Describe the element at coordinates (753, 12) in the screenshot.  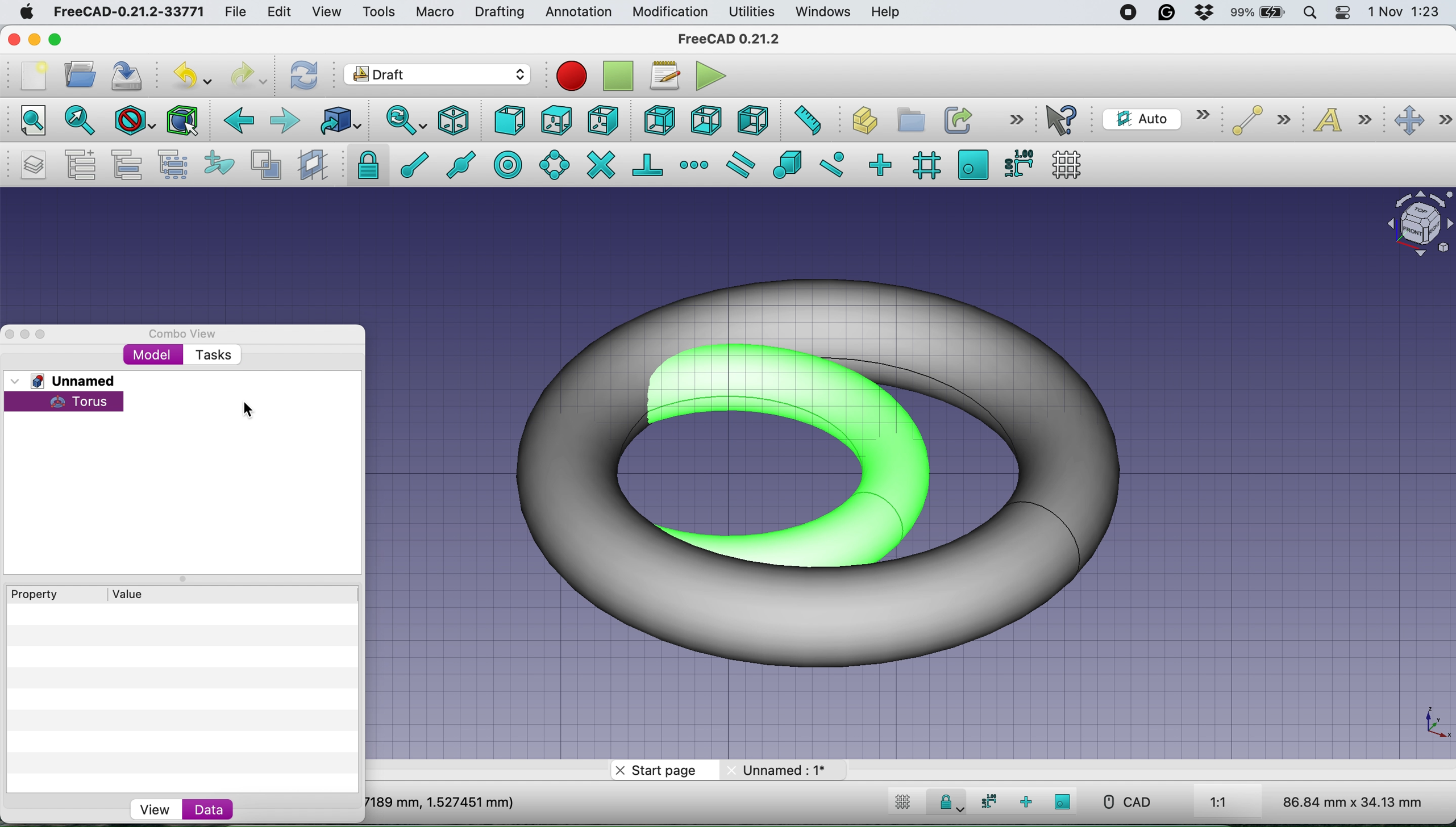
I see `utilities` at that location.